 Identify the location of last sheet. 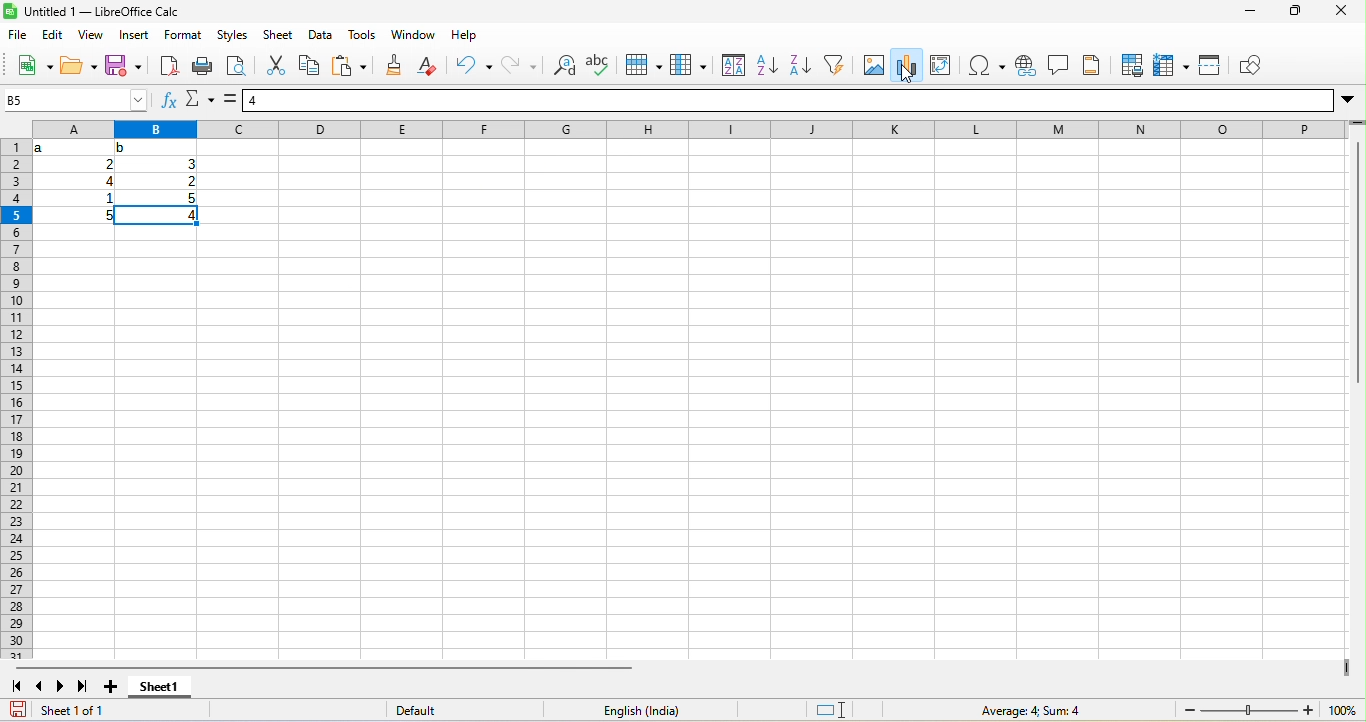
(83, 686).